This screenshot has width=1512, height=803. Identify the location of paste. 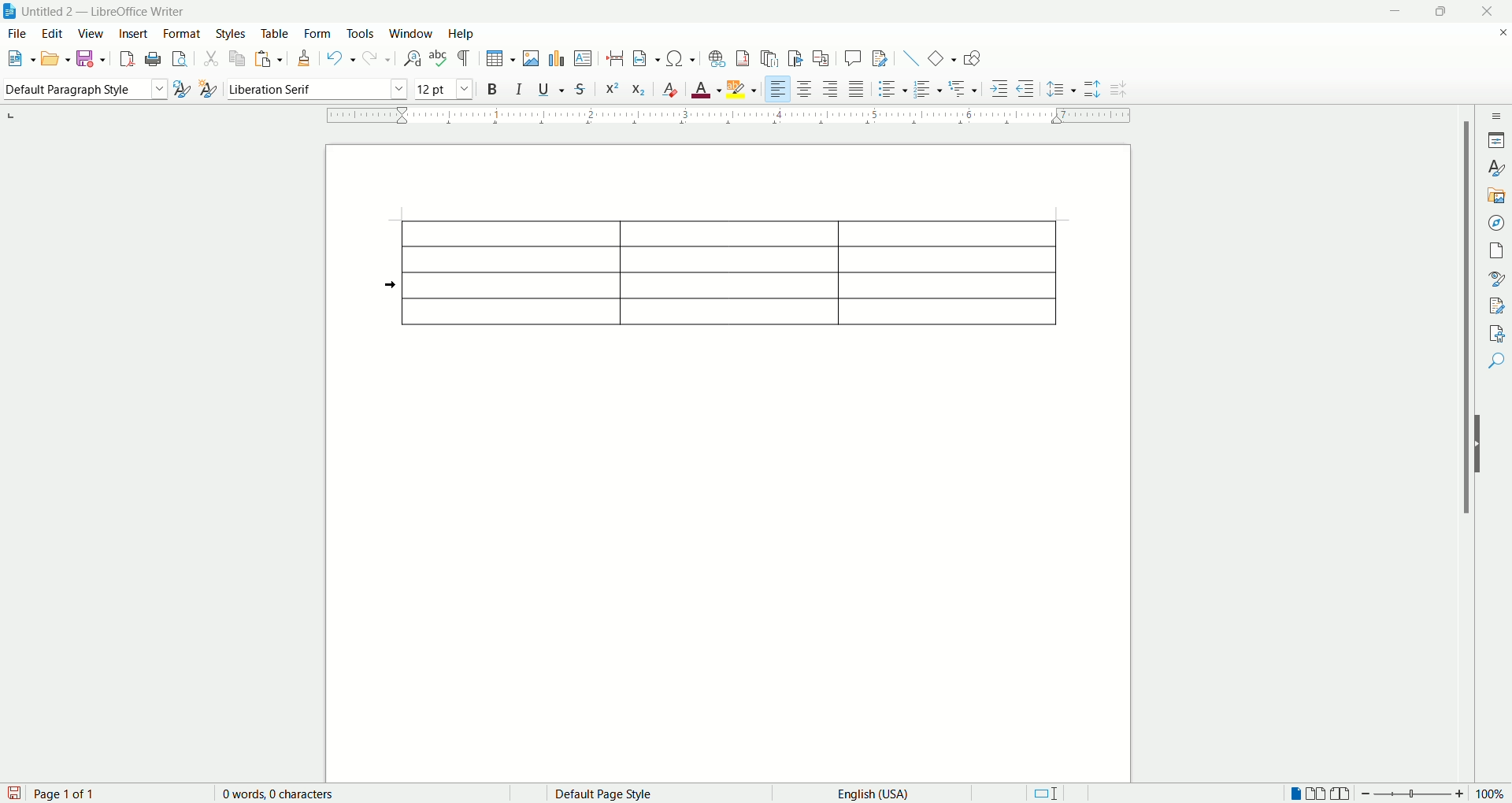
(269, 61).